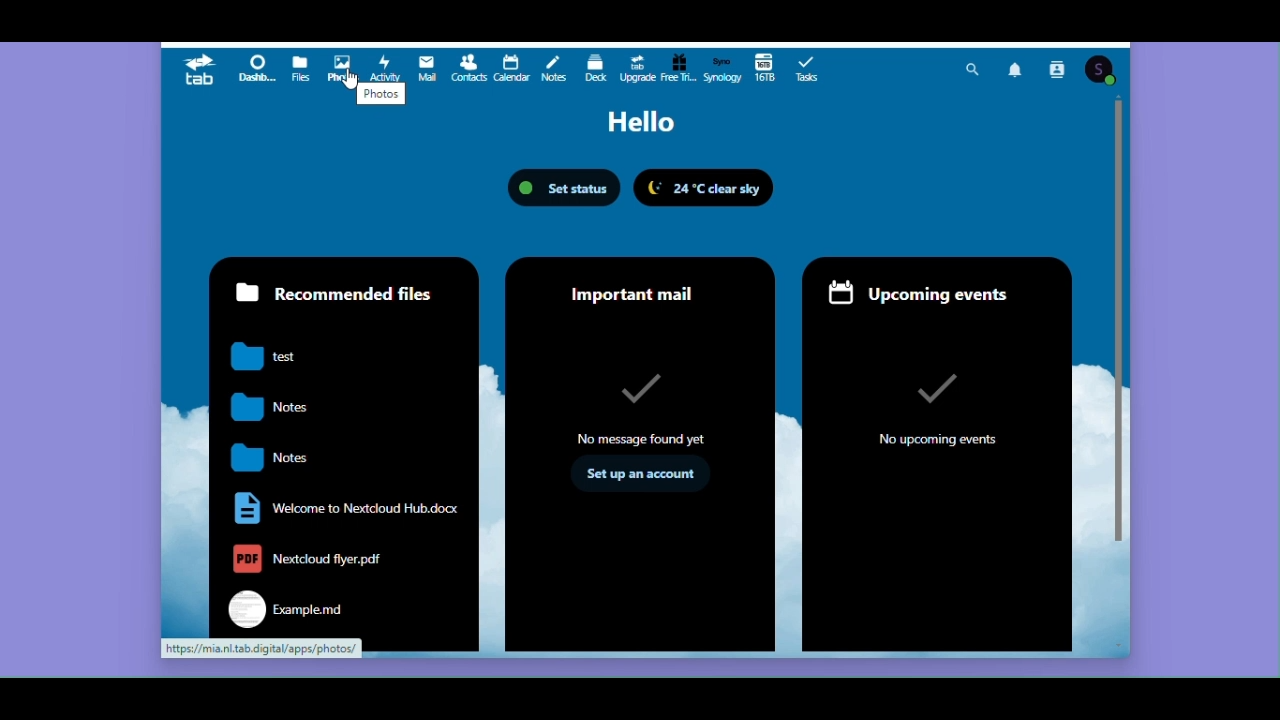 This screenshot has width=1280, height=720. Describe the element at coordinates (636, 67) in the screenshot. I see `Upgrade` at that location.